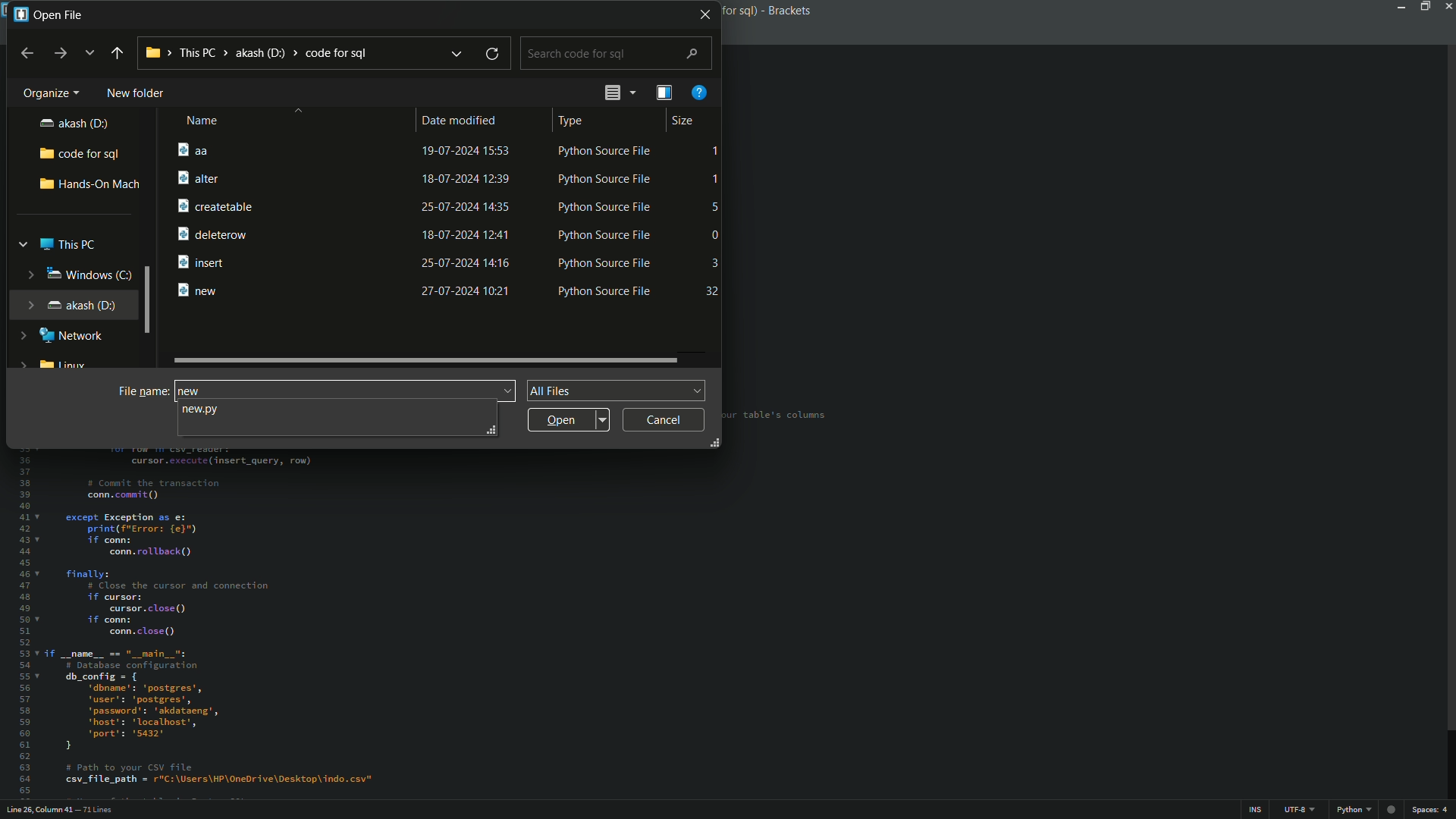 This screenshot has width=1456, height=819. Describe the element at coordinates (36, 811) in the screenshot. I see `cursor position` at that location.